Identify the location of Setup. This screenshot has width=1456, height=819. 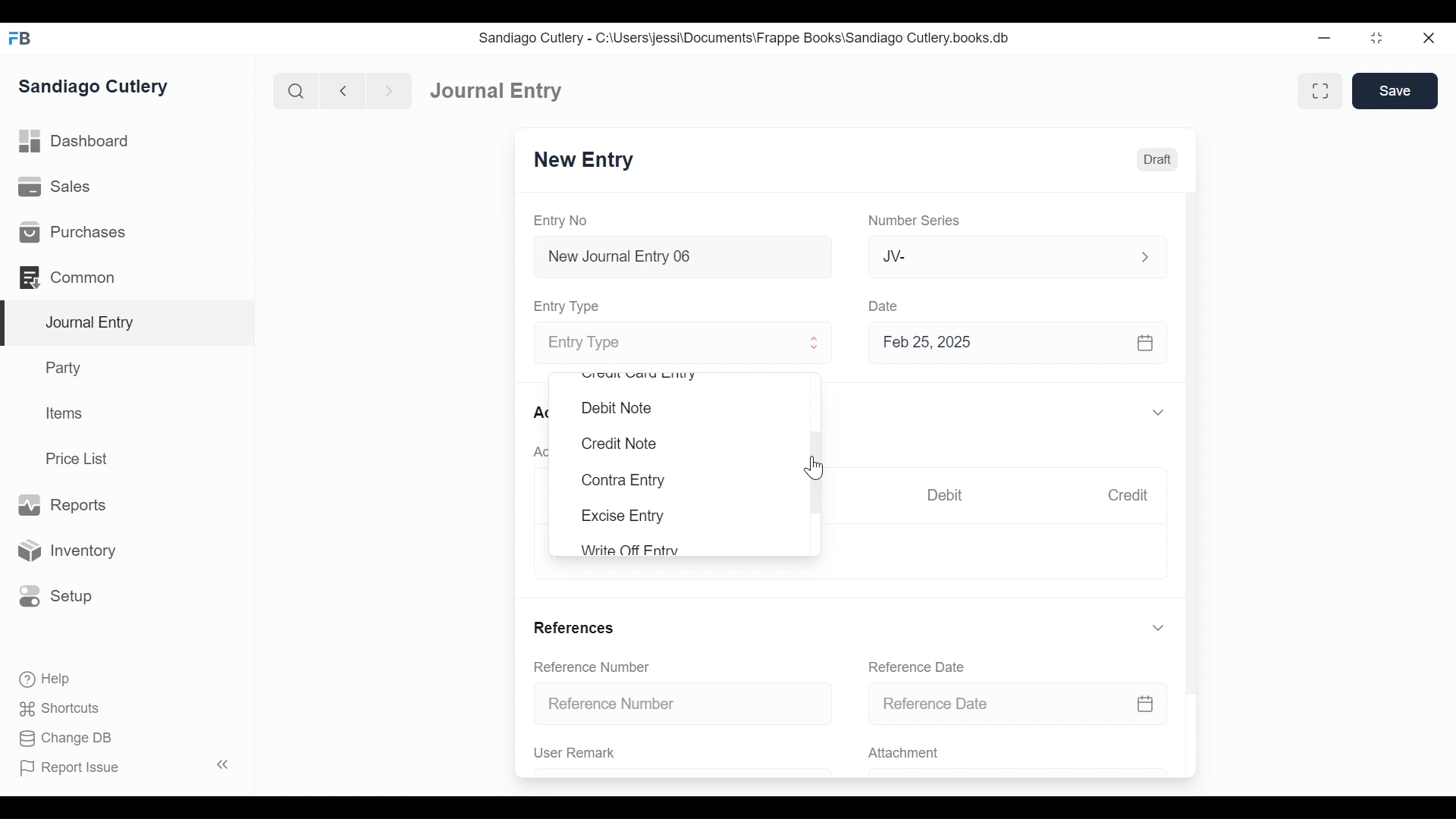
(52, 595).